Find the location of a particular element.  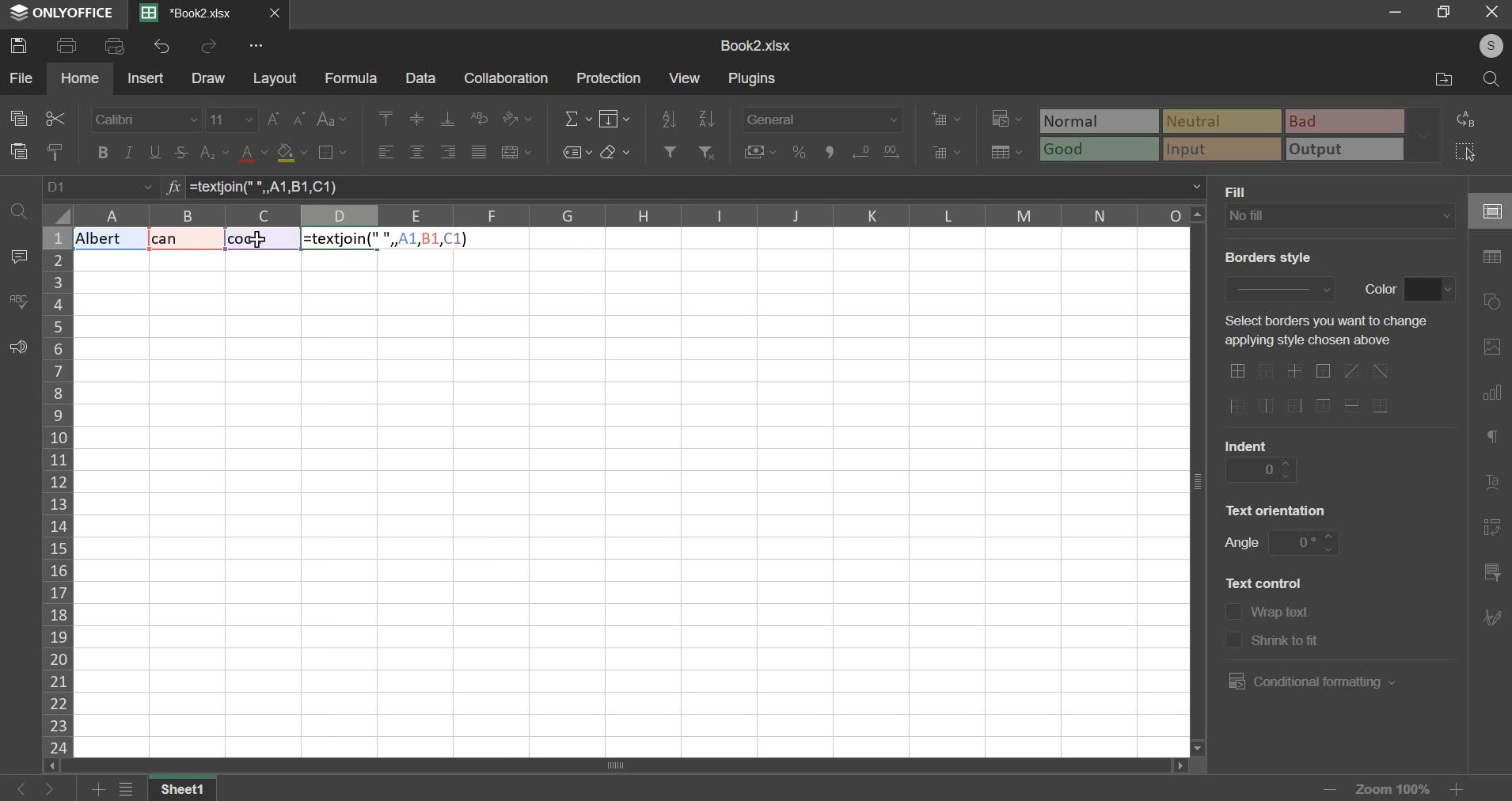

table is located at coordinates (1492, 257).